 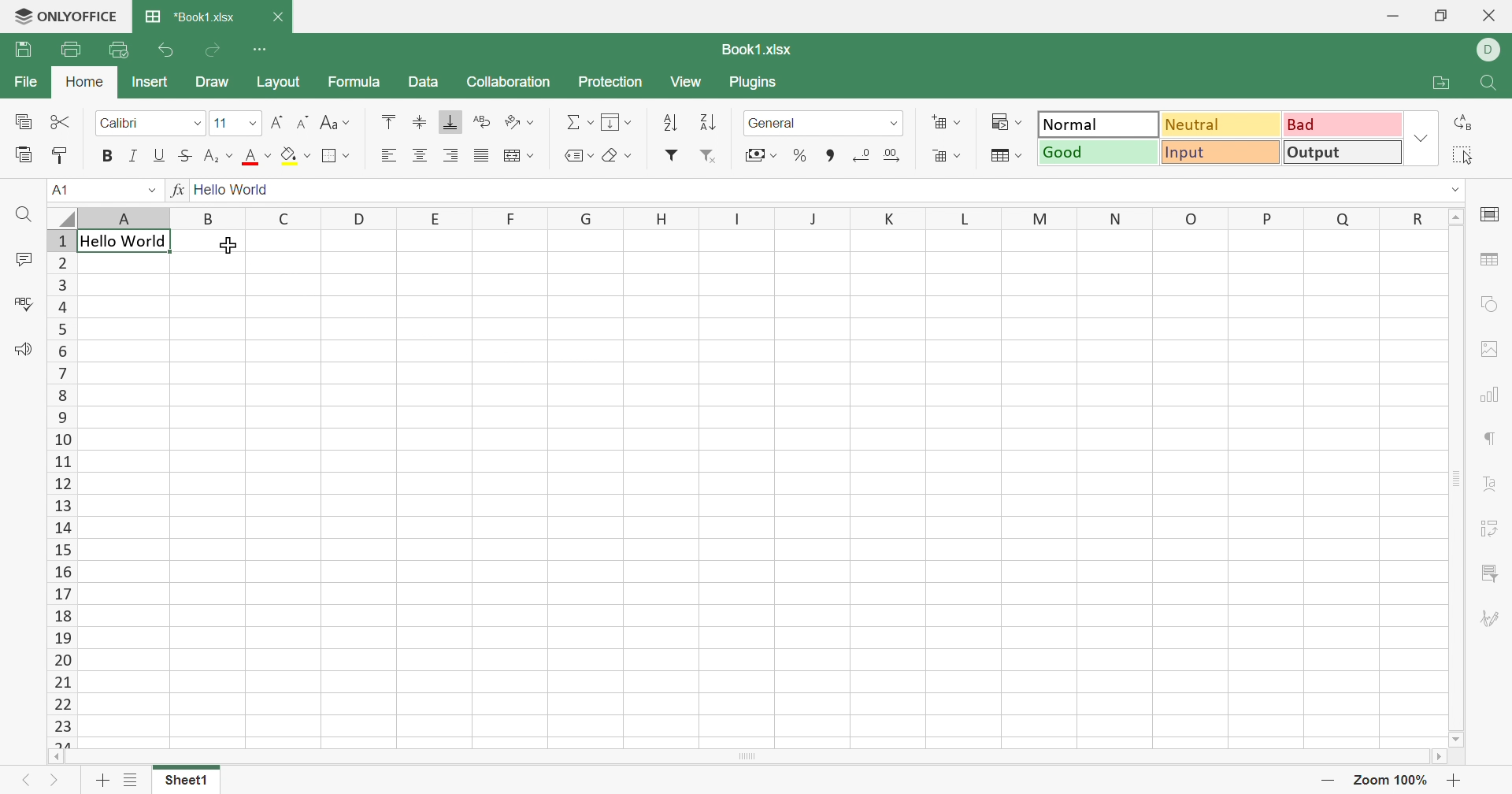 I want to click on Neutral, so click(x=1220, y=126).